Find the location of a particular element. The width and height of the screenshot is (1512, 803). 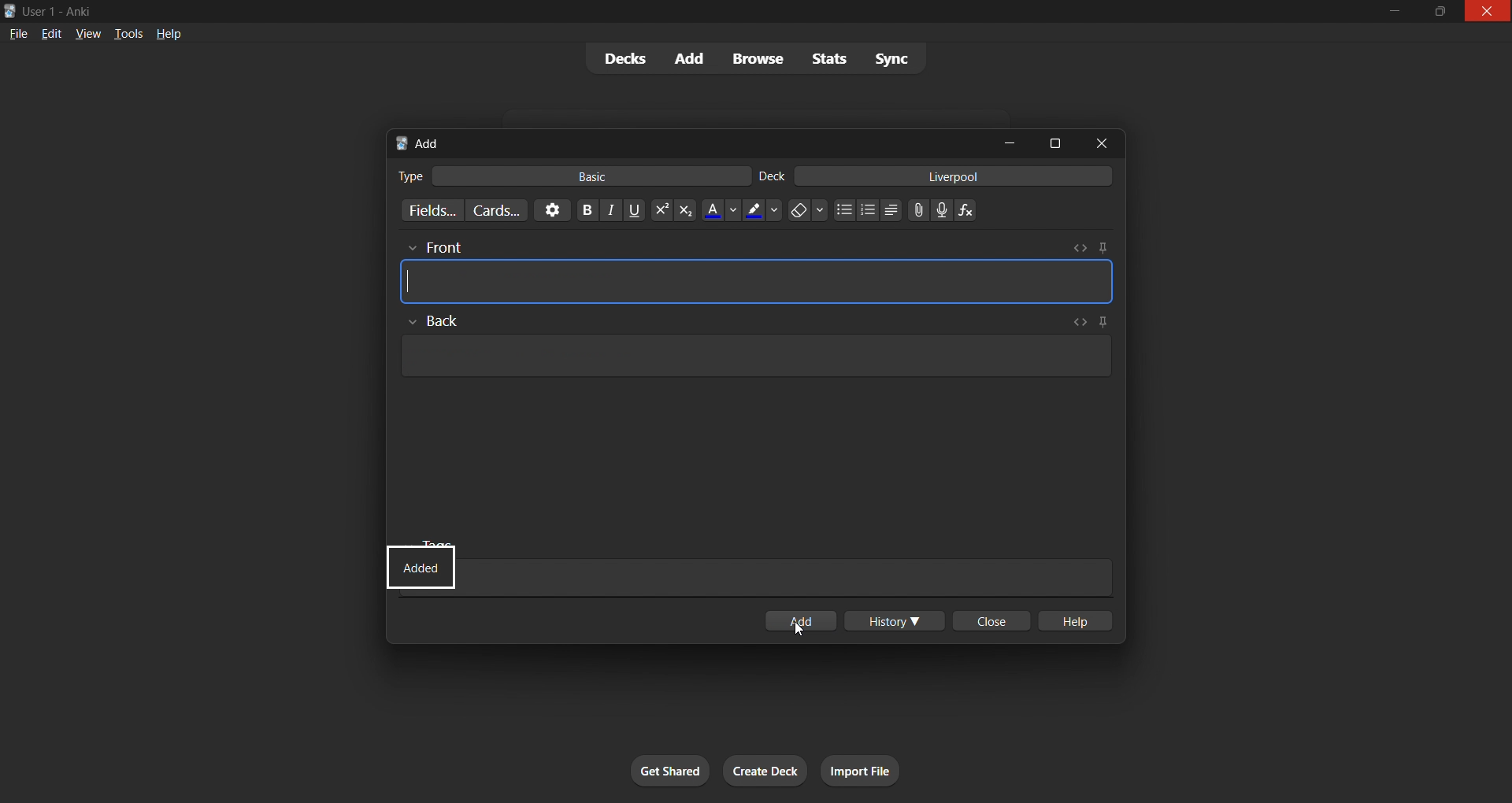

add is located at coordinates (806, 618).